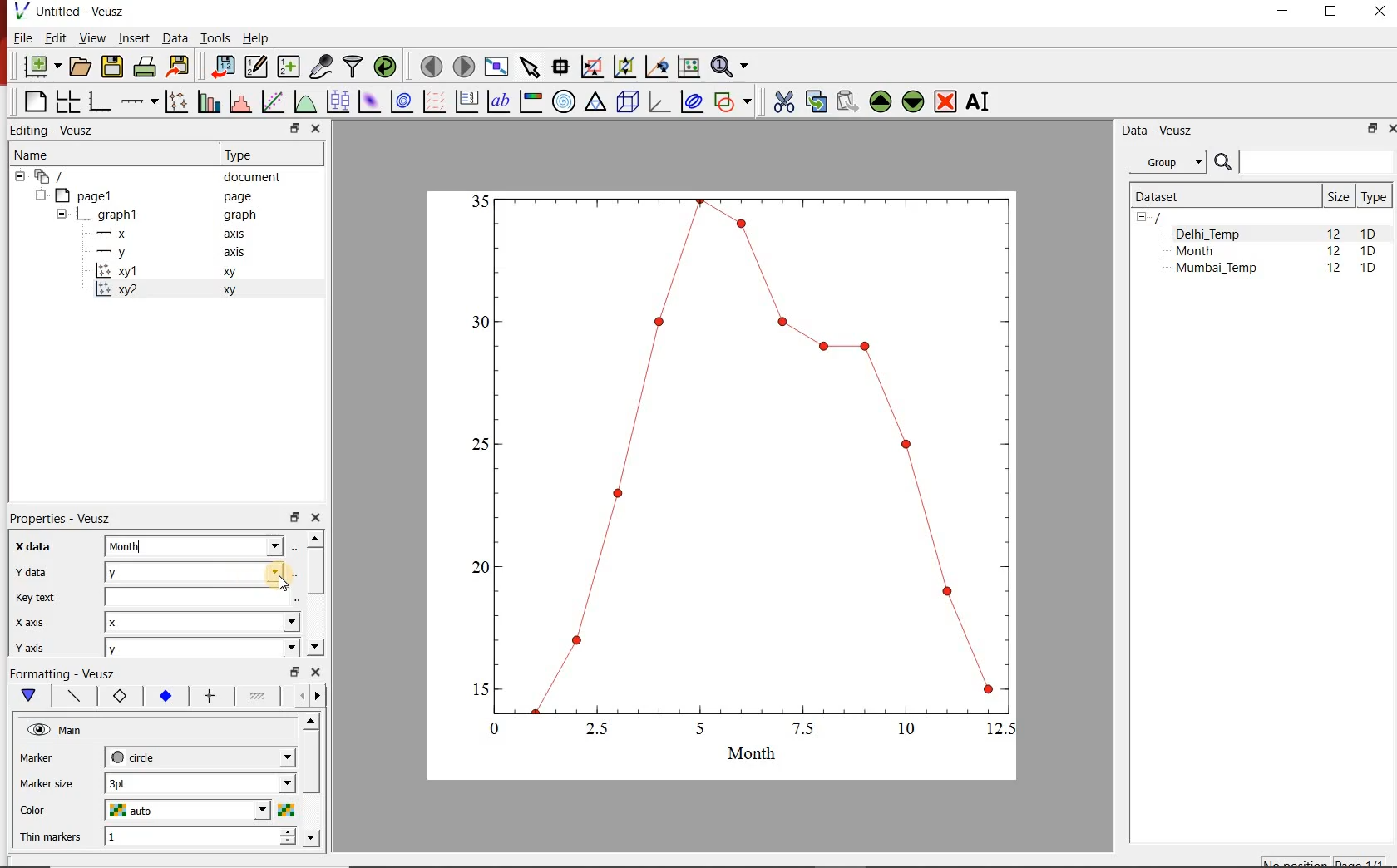  What do you see at coordinates (946, 101) in the screenshot?
I see `remove the selected widgets` at bounding box center [946, 101].